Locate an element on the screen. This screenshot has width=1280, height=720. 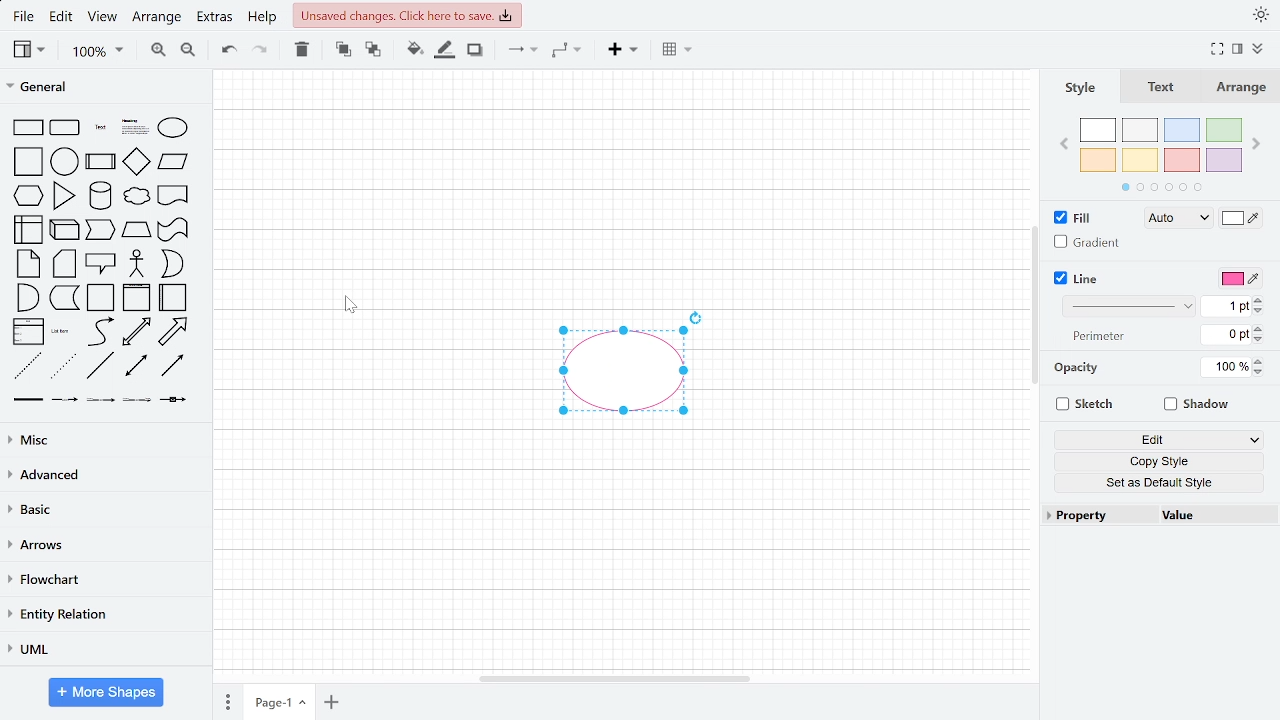
heading is located at coordinates (132, 129).